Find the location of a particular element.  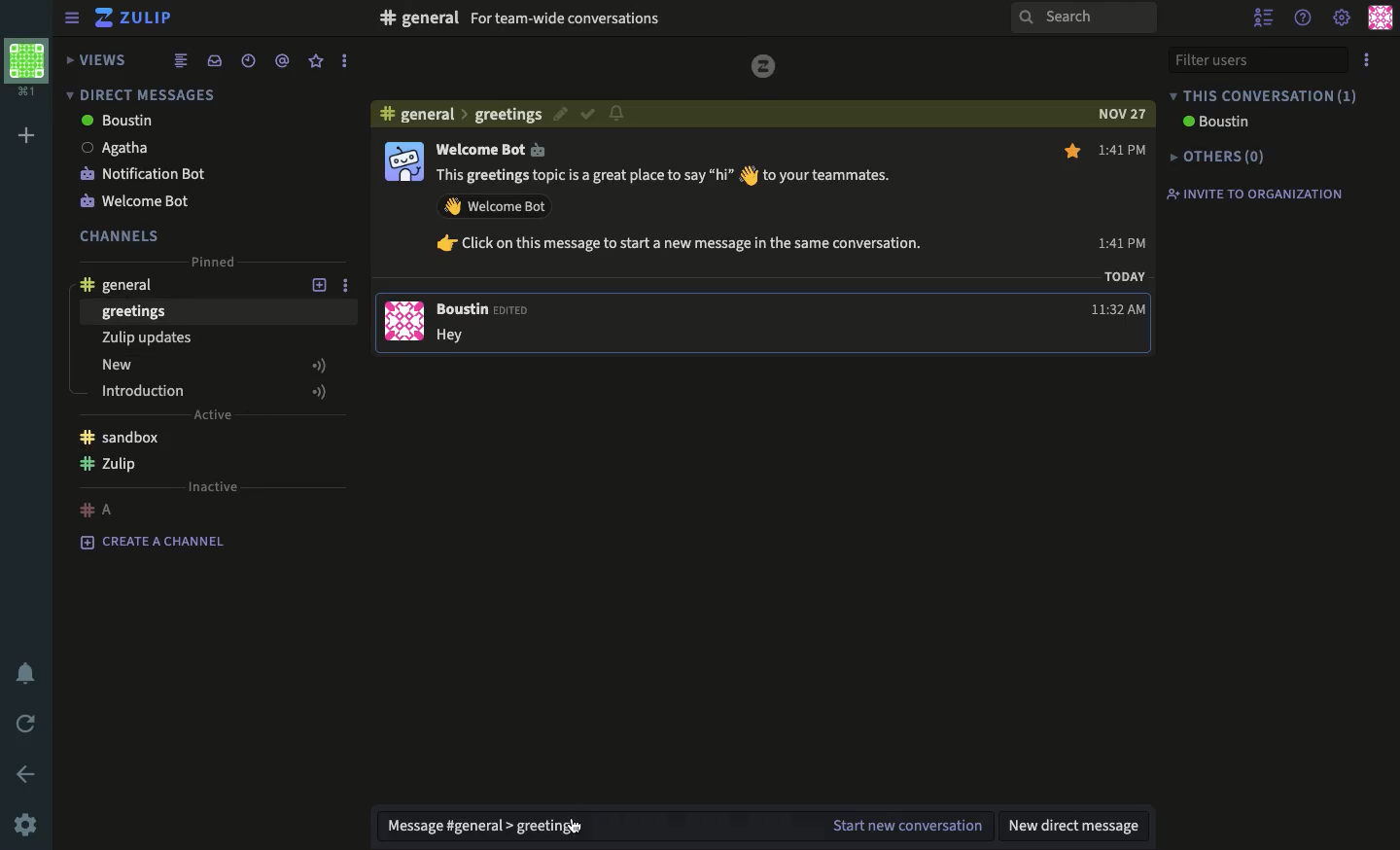

search is located at coordinates (1086, 19).